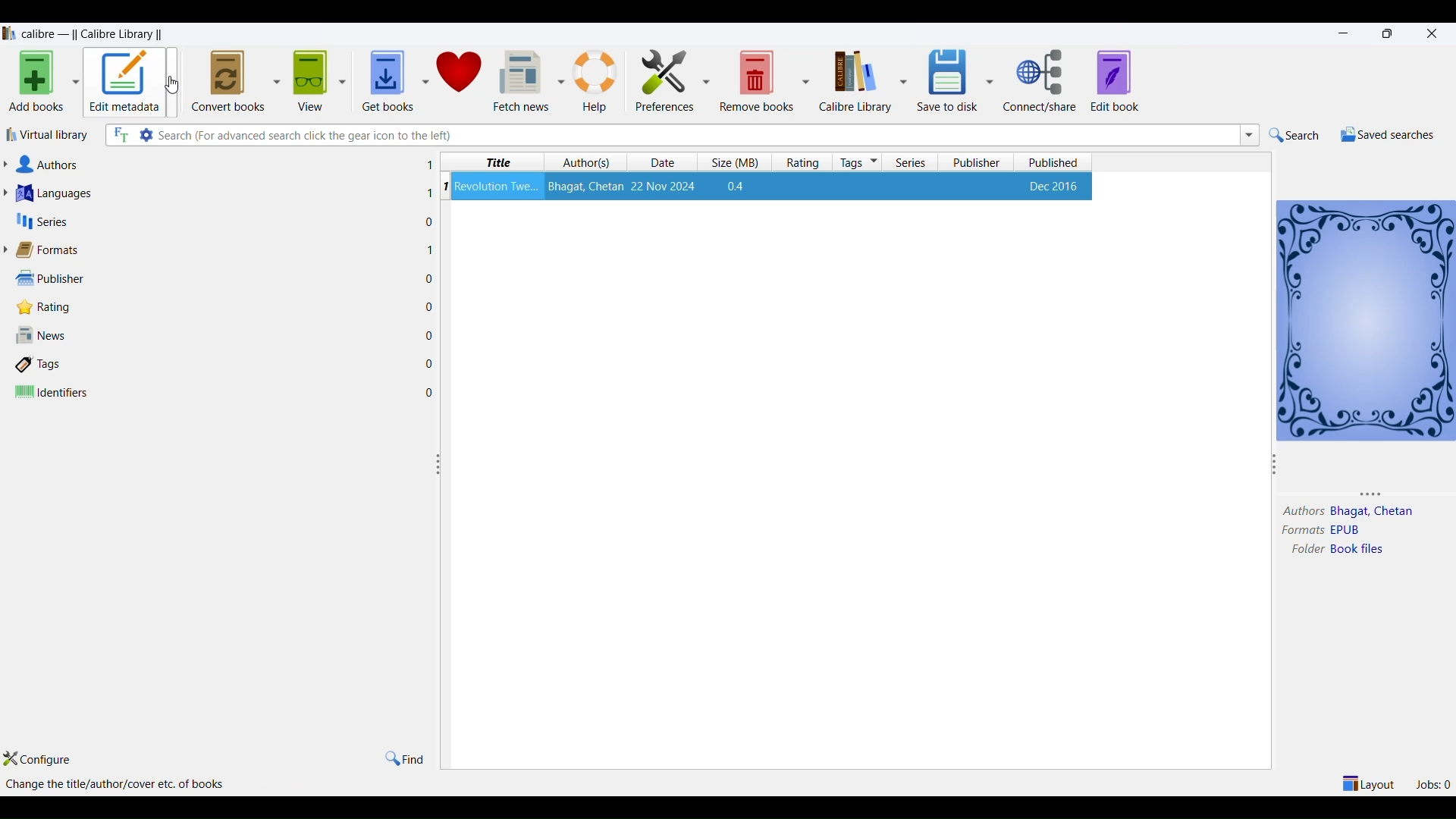 The image size is (1456, 819). I want to click on 1, so click(431, 250).